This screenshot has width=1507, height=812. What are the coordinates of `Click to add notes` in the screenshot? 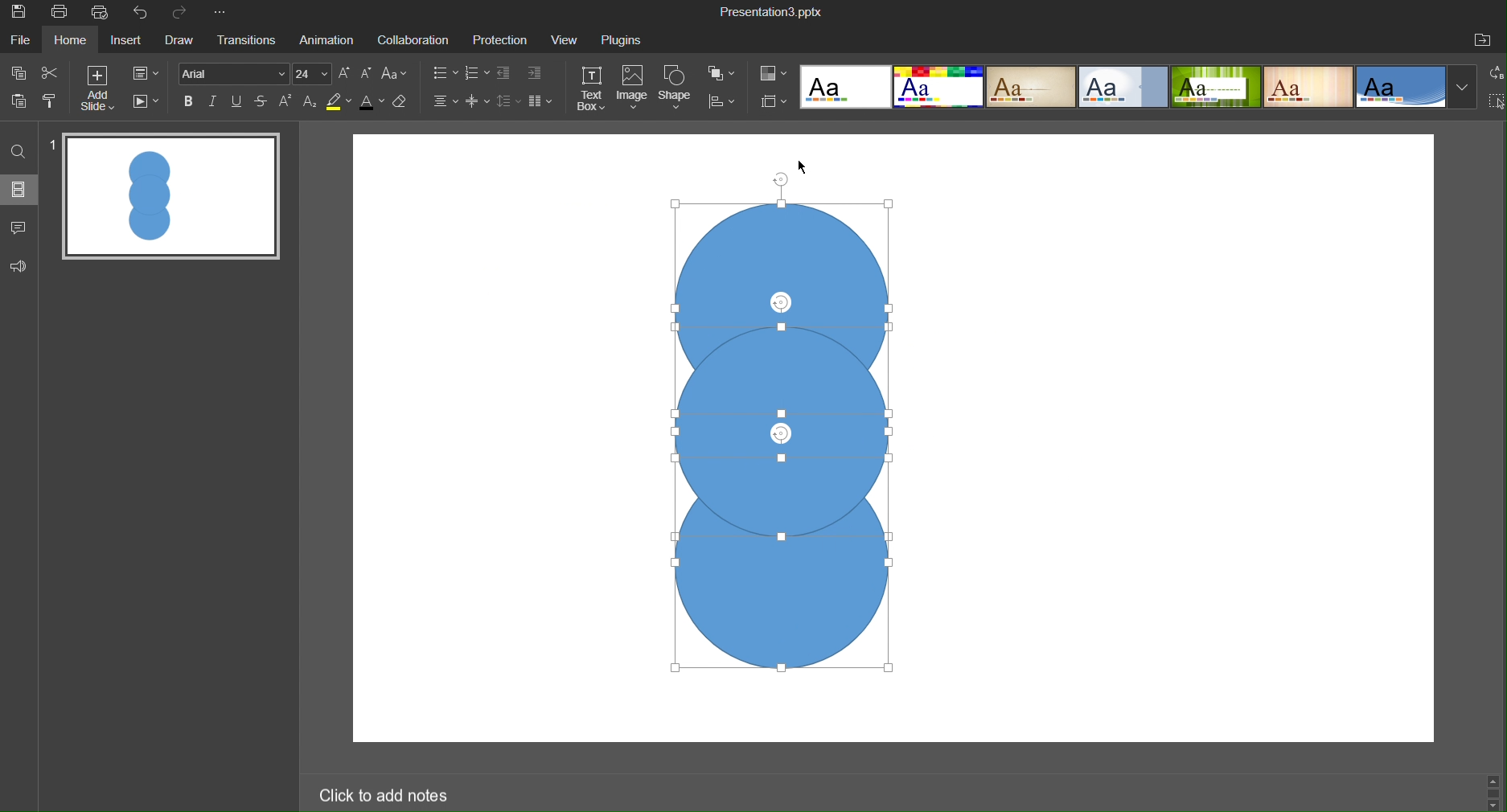 It's located at (387, 794).